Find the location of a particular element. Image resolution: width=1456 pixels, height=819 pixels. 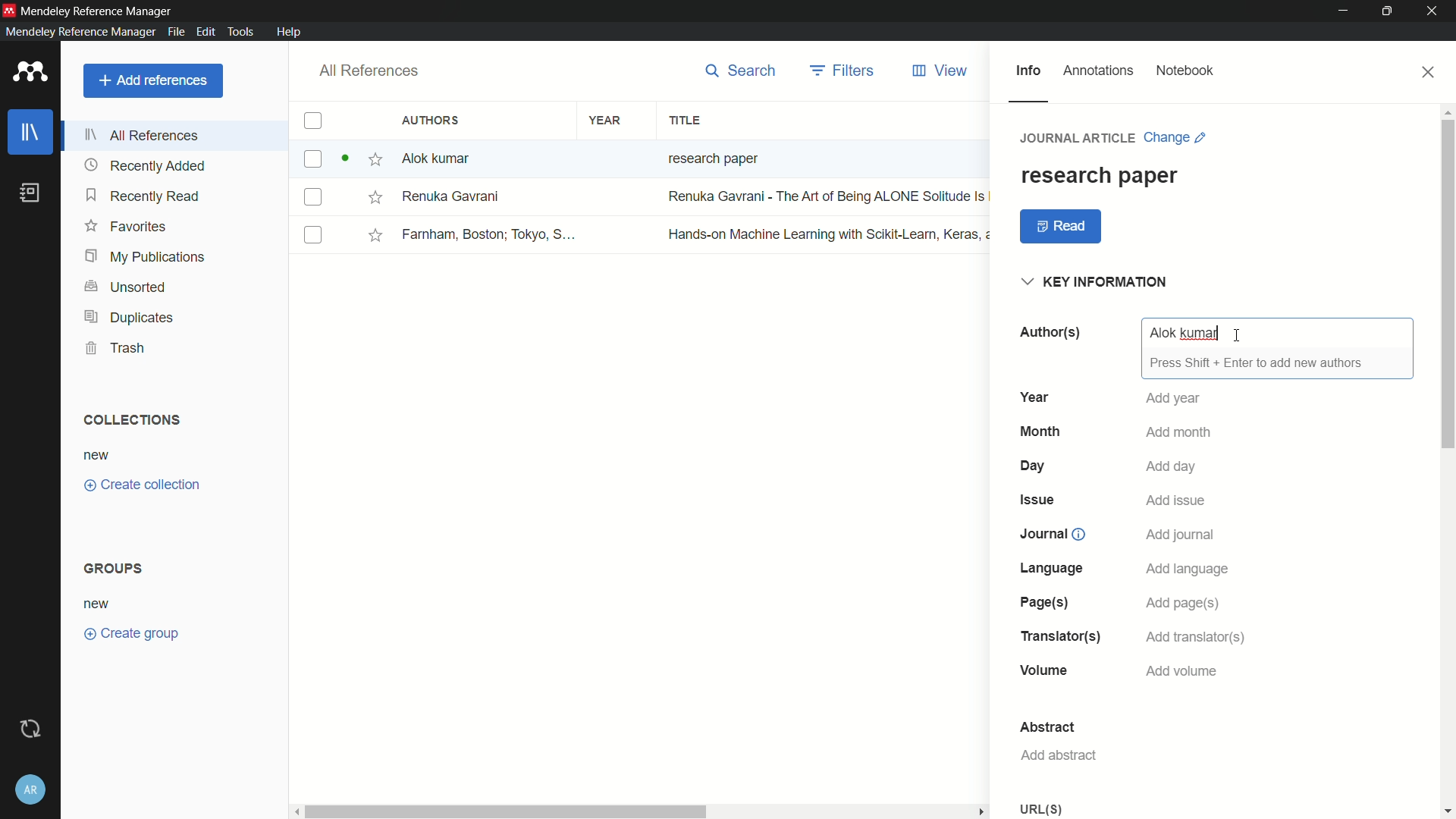

vertical scrollbar is located at coordinates (1447, 460).